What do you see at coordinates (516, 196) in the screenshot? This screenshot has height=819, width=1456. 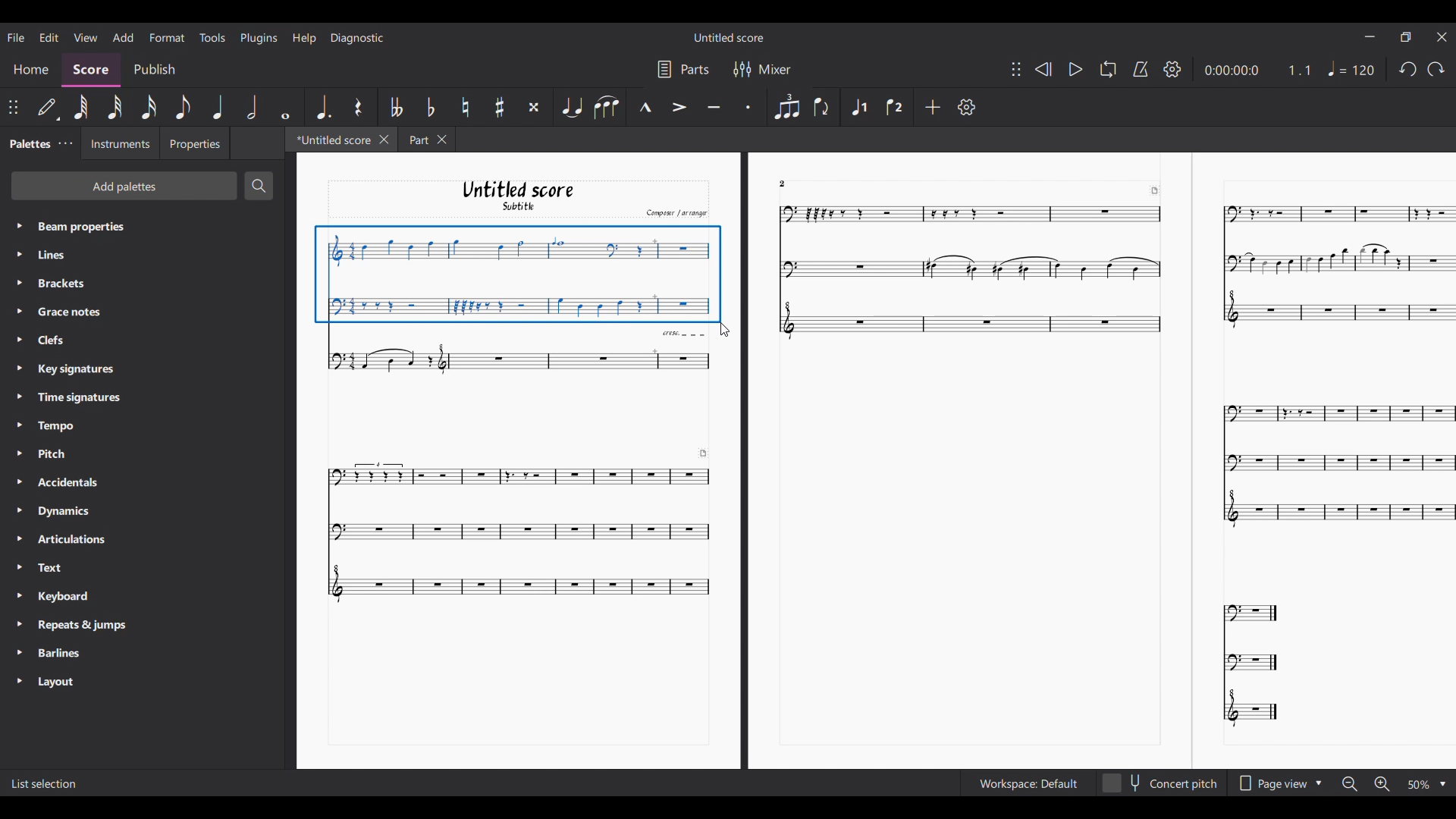 I see `Untitled score
Subtitle` at bounding box center [516, 196].